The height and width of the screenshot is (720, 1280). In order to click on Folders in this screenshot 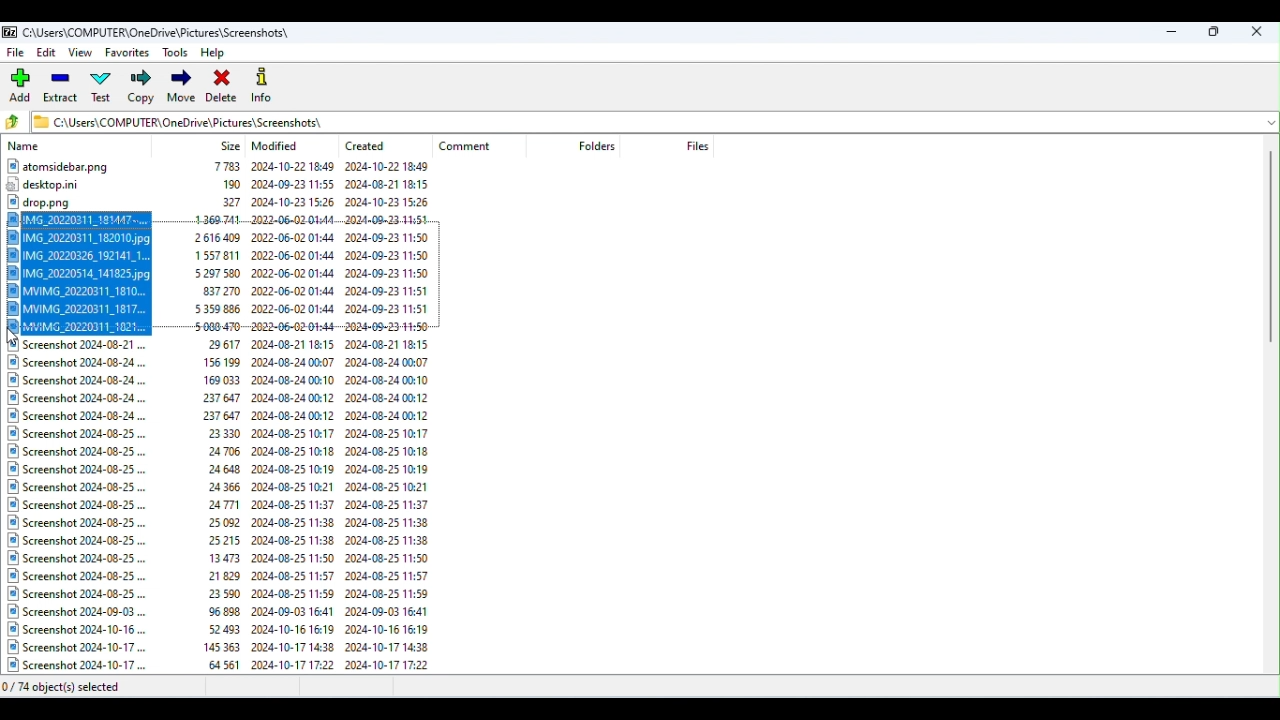, I will do `click(599, 146)`.